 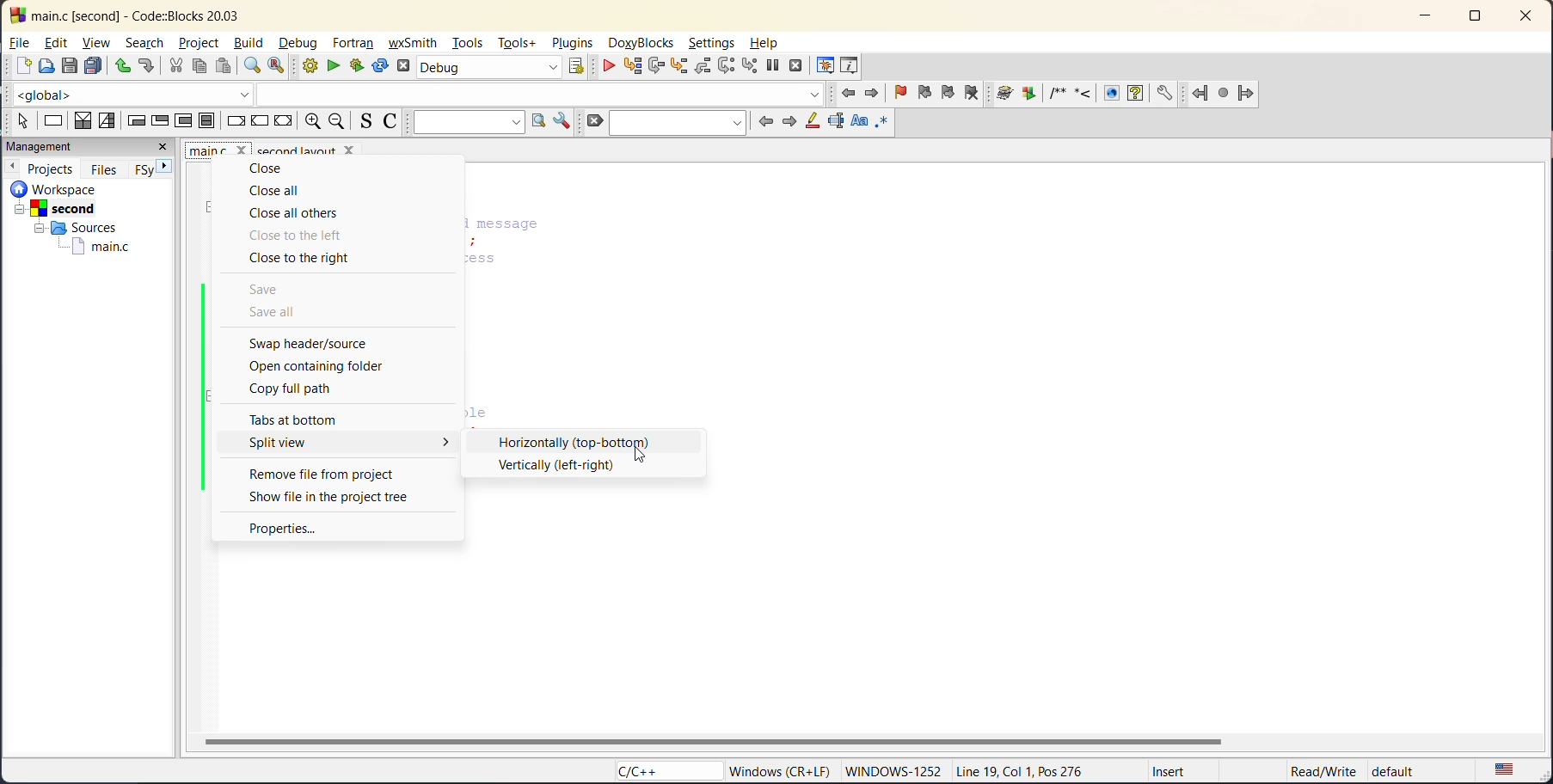 What do you see at coordinates (67, 65) in the screenshot?
I see `save` at bounding box center [67, 65].